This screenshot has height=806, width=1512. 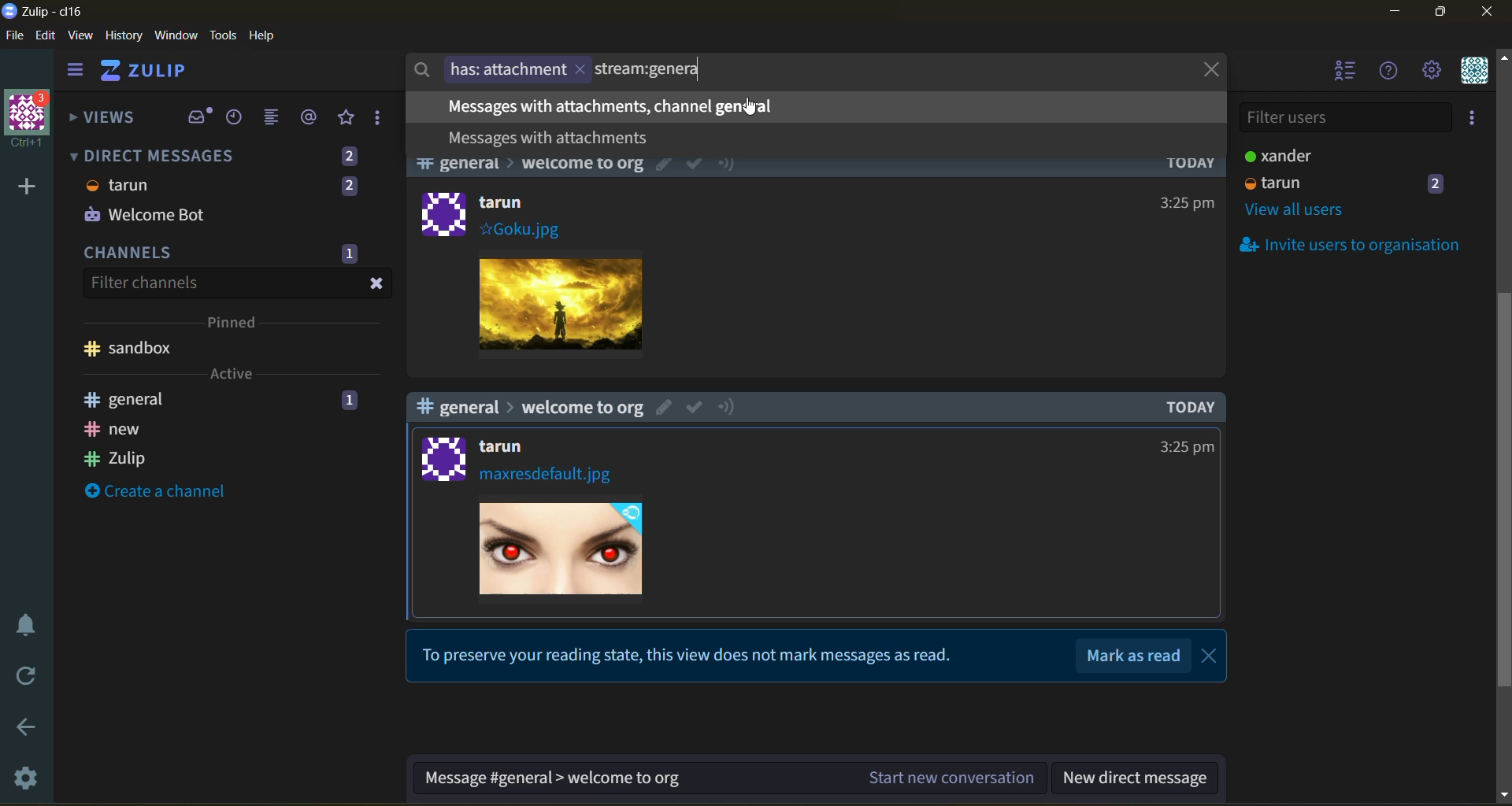 I want to click on 2, so click(x=1438, y=183).